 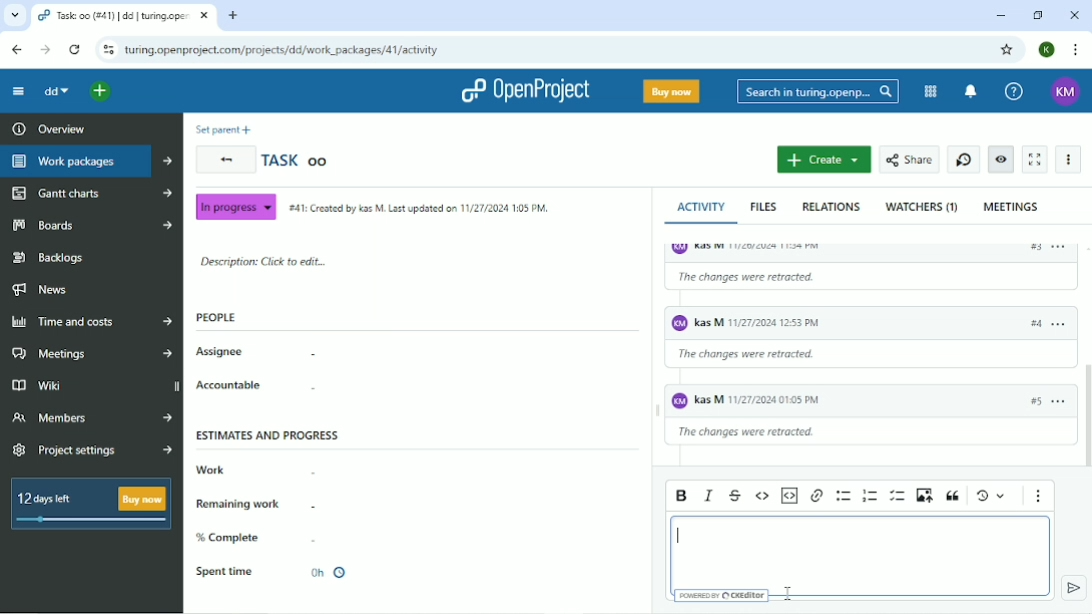 I want to click on Files, so click(x=765, y=207).